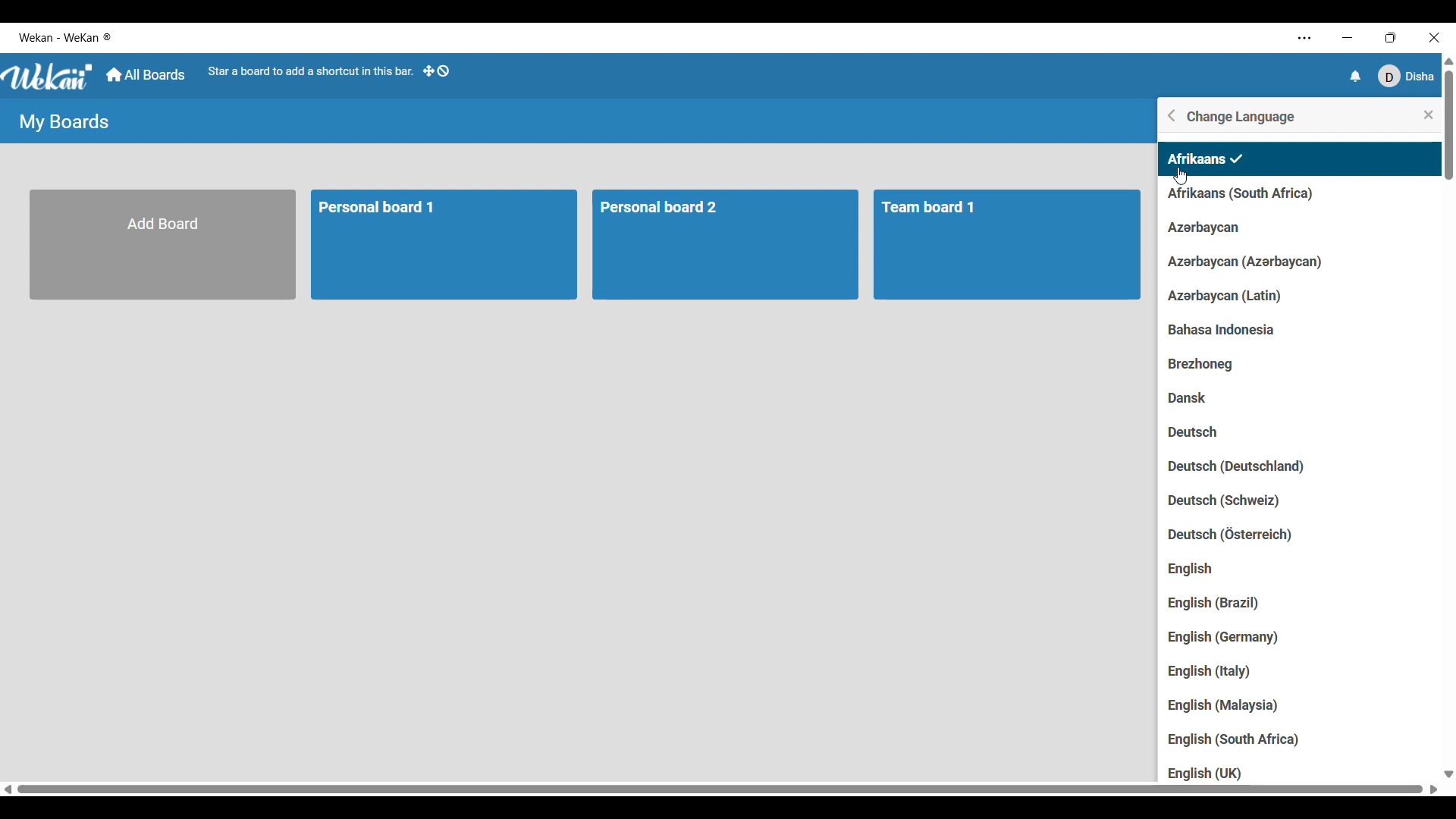 The width and height of the screenshot is (1456, 819). I want to click on English (UK), so click(1204, 773).